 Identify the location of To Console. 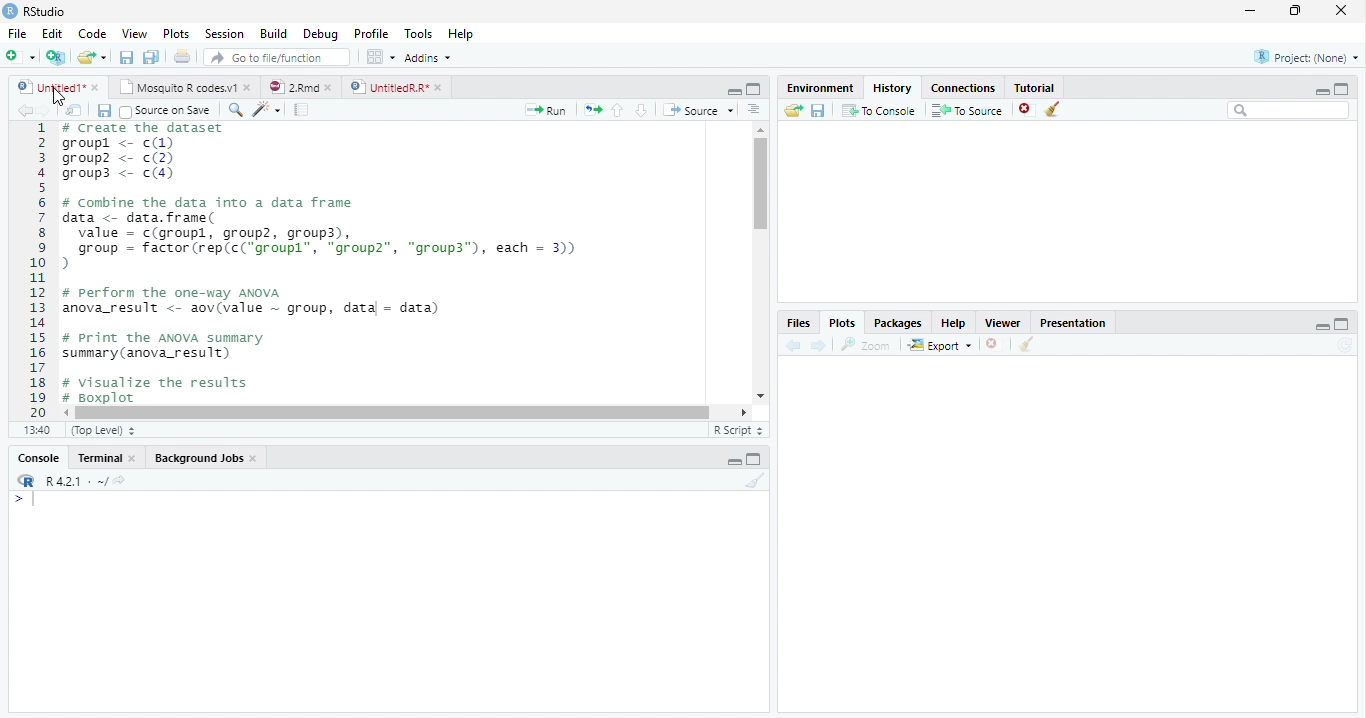
(879, 110).